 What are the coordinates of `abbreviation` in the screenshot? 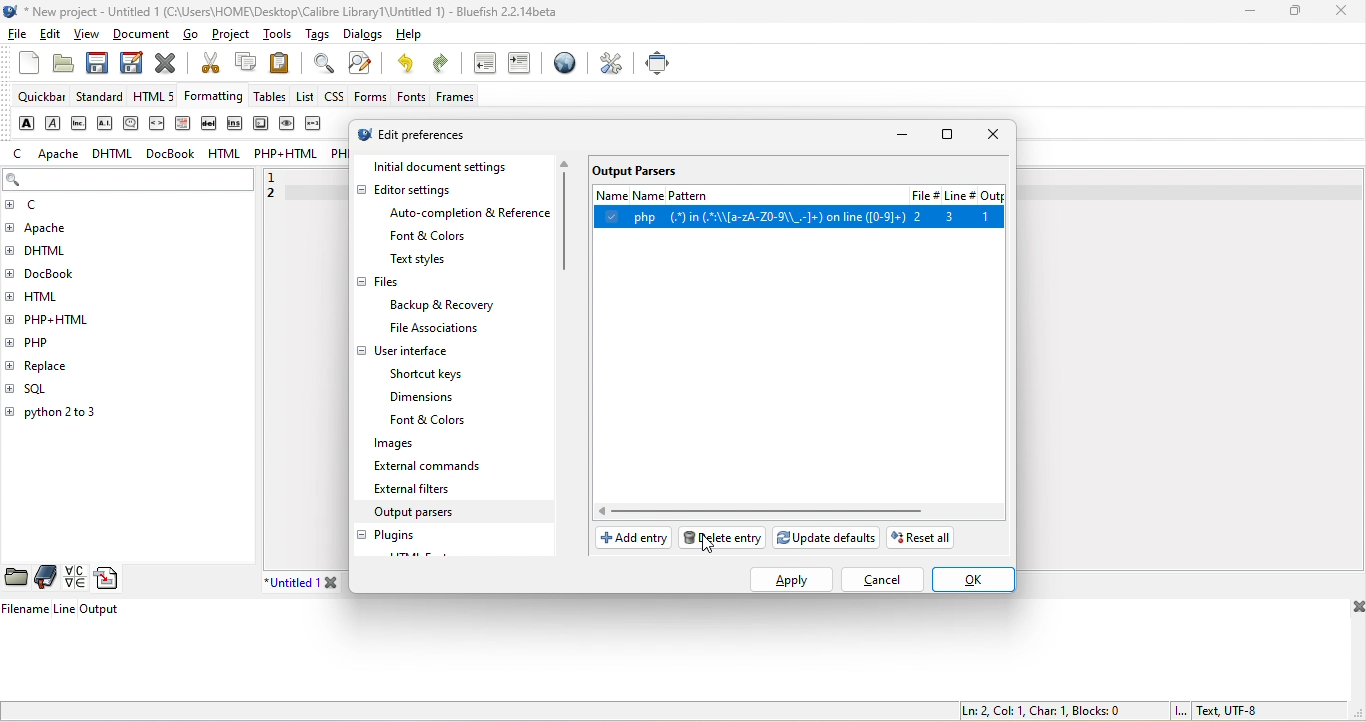 It's located at (81, 122).